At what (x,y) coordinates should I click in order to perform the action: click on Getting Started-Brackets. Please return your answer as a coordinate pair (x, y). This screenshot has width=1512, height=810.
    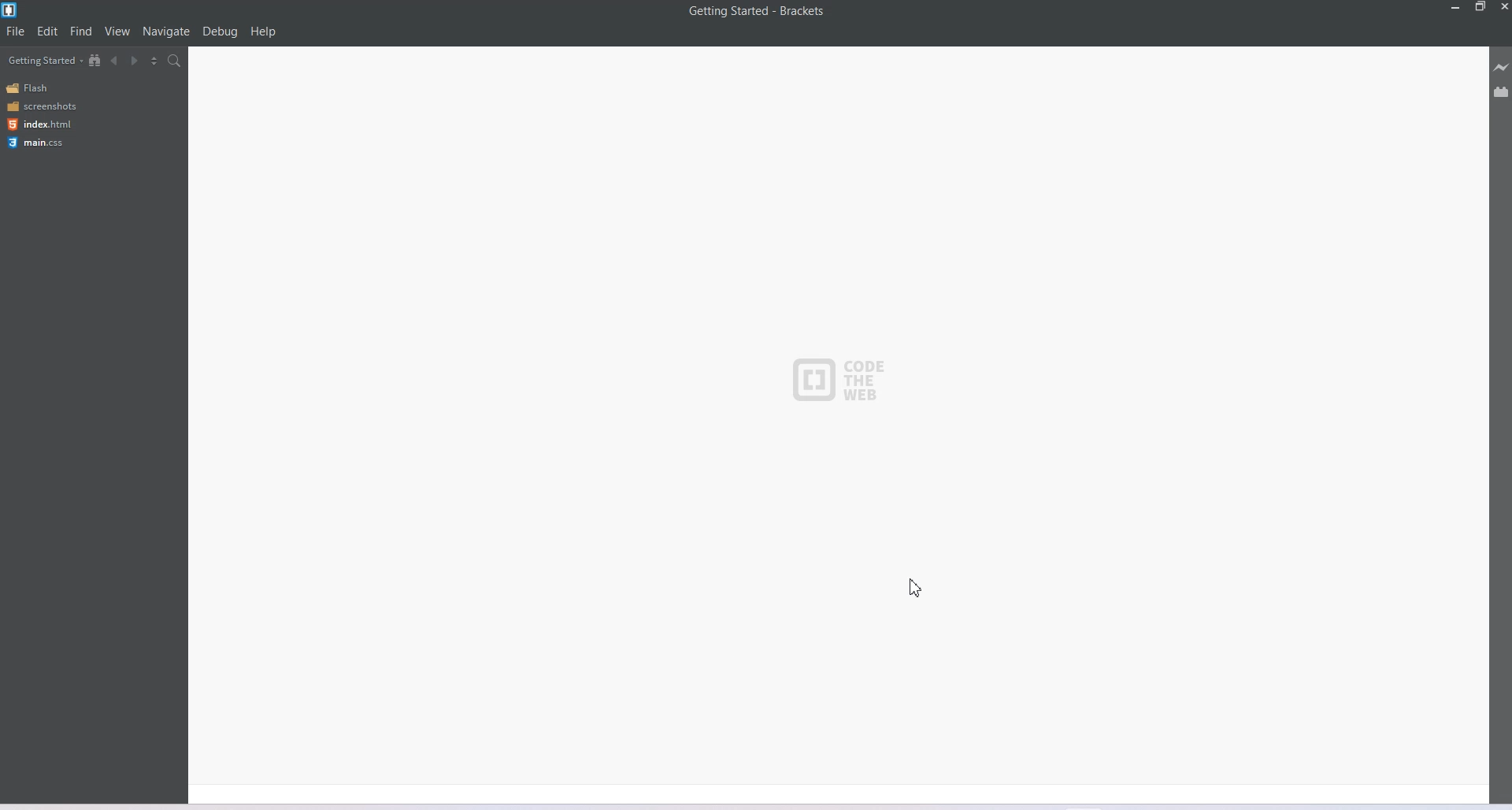
    Looking at the image, I should click on (757, 12).